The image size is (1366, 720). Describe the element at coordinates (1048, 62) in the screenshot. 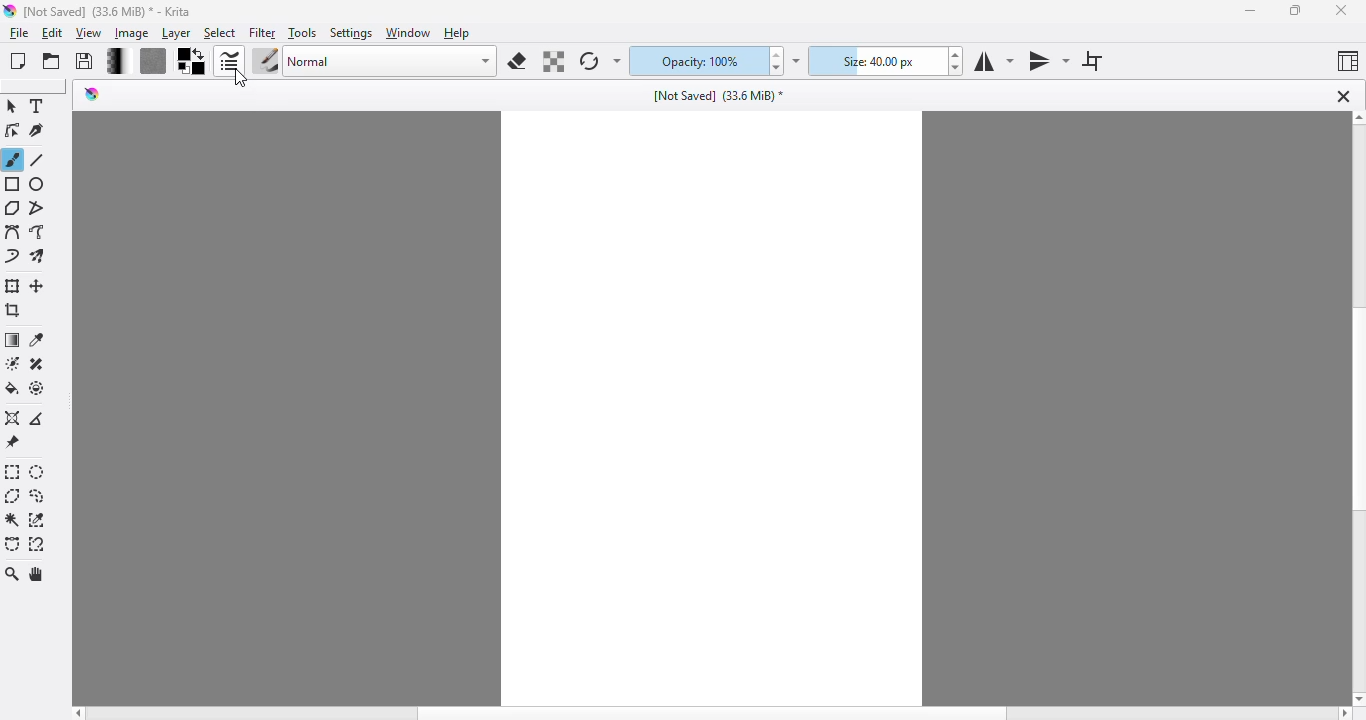

I see `vertical mirror tool` at that location.